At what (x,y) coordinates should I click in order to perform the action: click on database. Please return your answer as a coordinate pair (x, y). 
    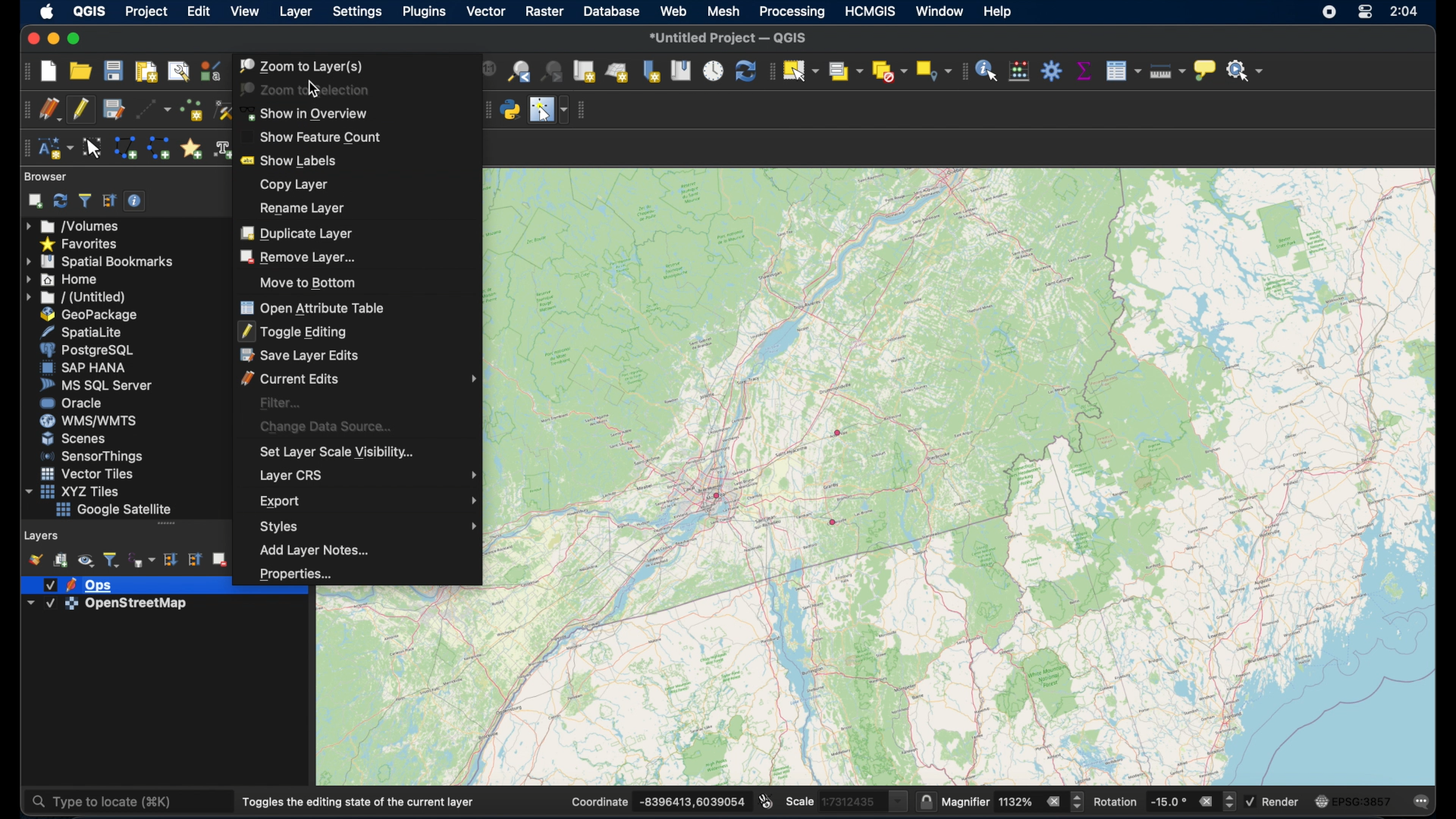
    Looking at the image, I should click on (613, 12).